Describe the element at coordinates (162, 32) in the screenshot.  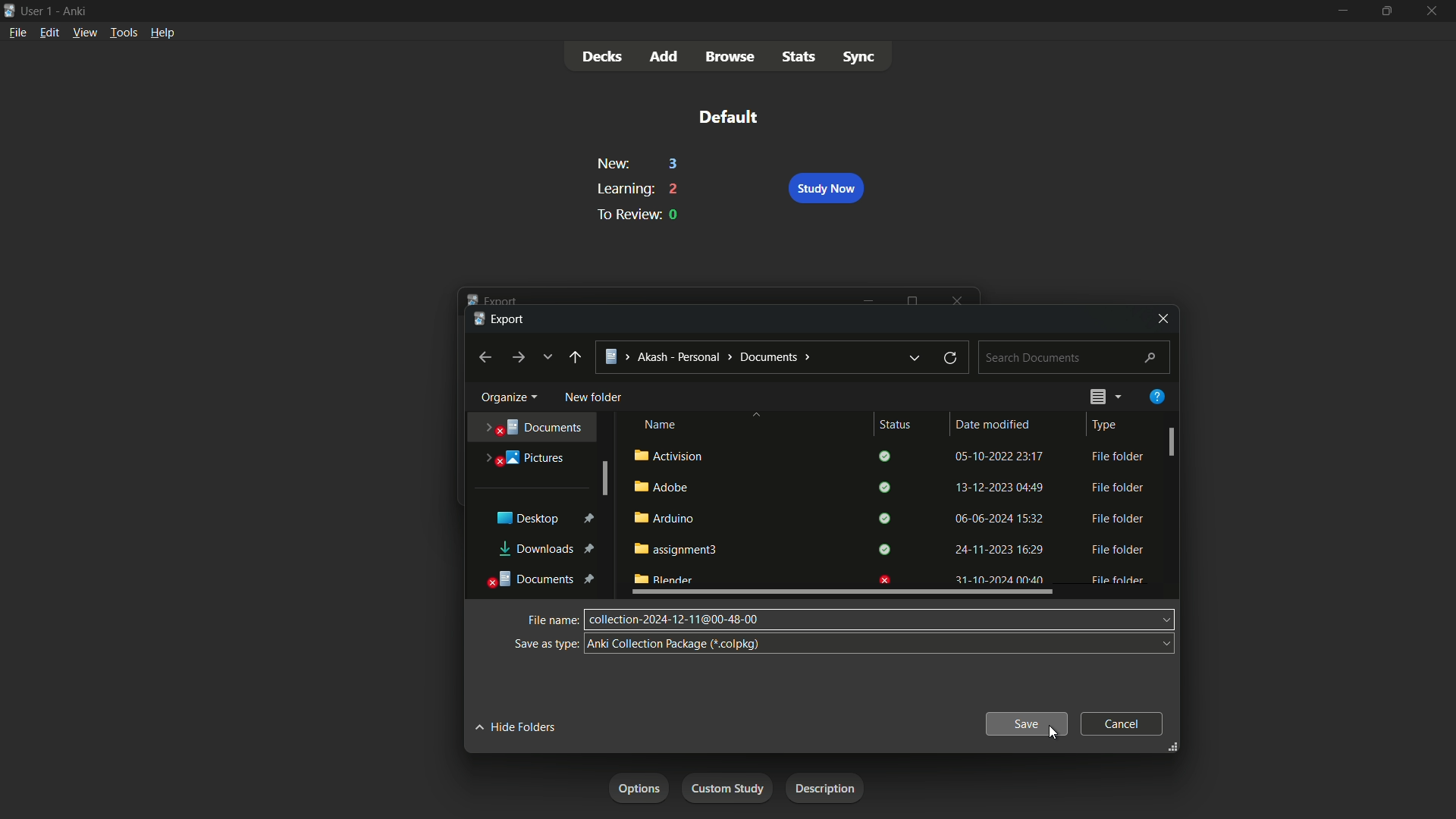
I see `help menu` at that location.